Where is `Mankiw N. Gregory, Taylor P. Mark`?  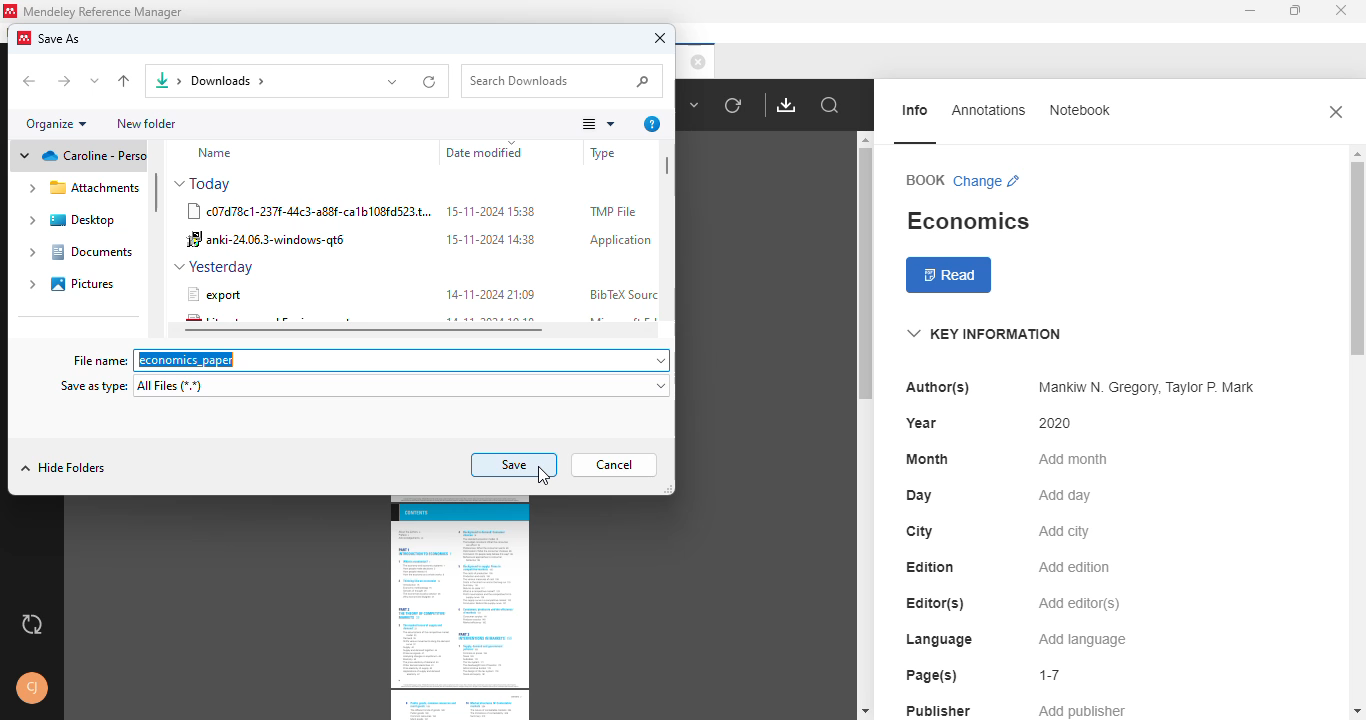
Mankiw N. Gregory, Taylor P. Mark is located at coordinates (1142, 388).